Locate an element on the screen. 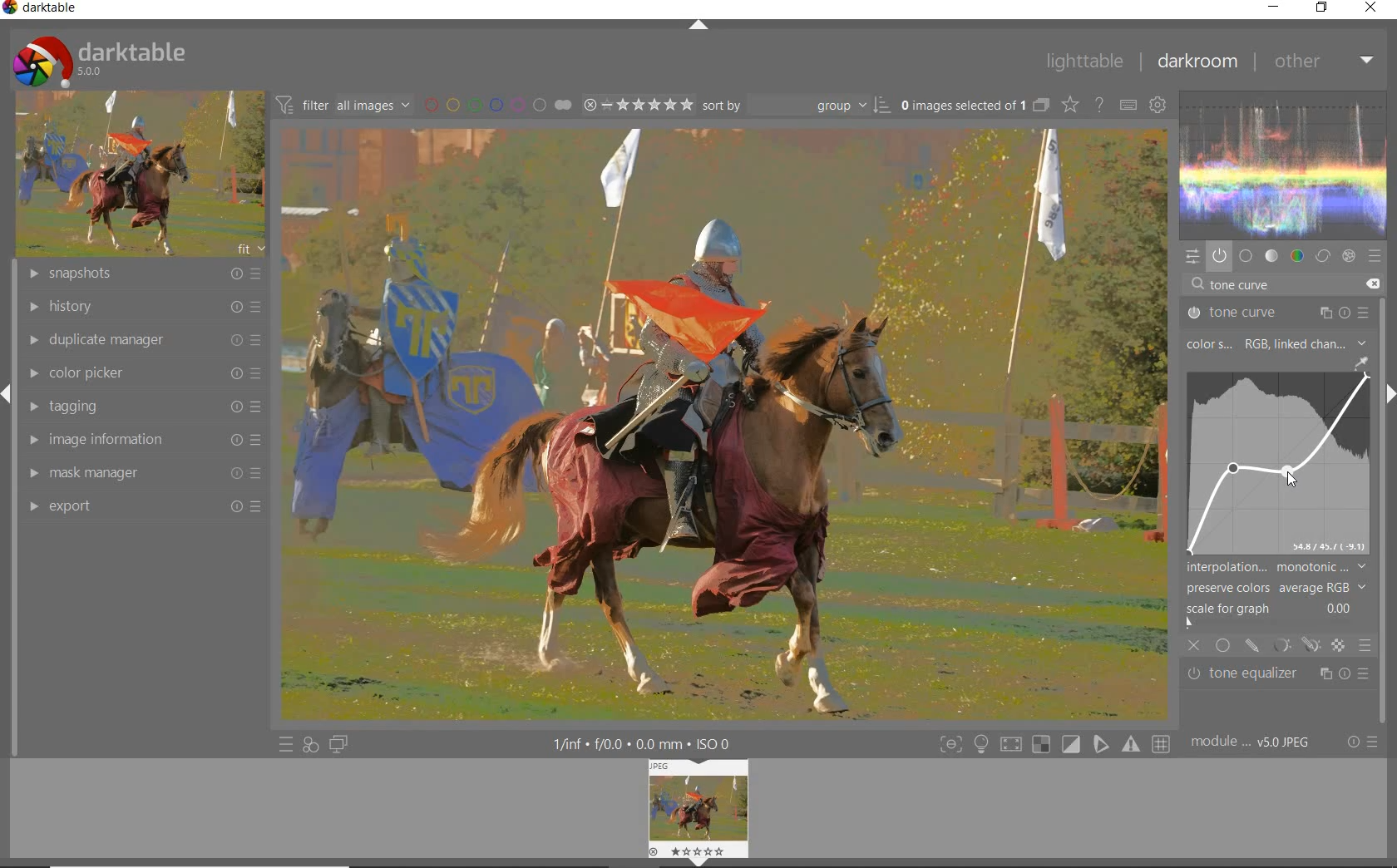  restore is located at coordinates (1322, 7).